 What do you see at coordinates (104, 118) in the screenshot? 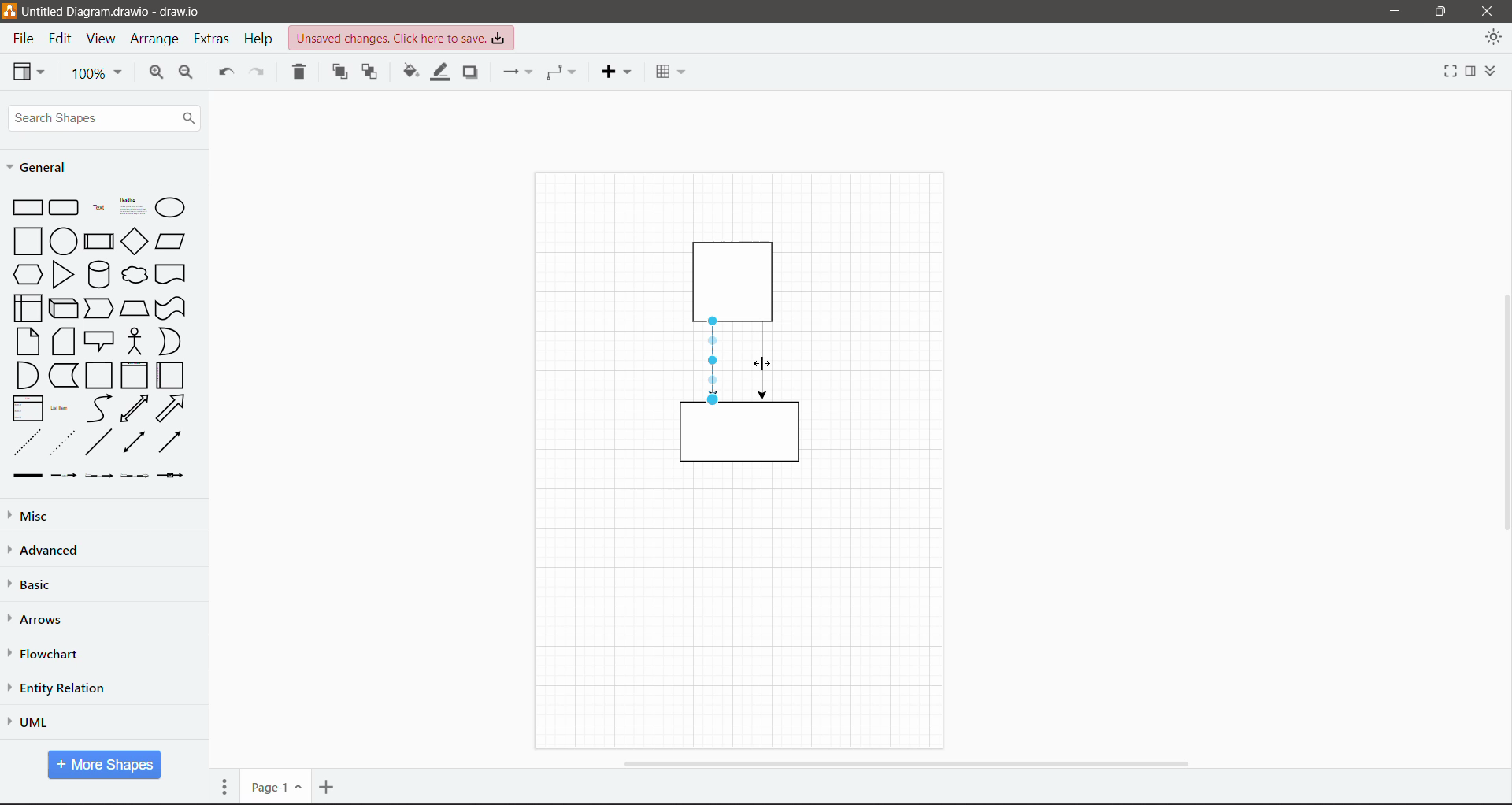
I see `Search Shapes` at bounding box center [104, 118].